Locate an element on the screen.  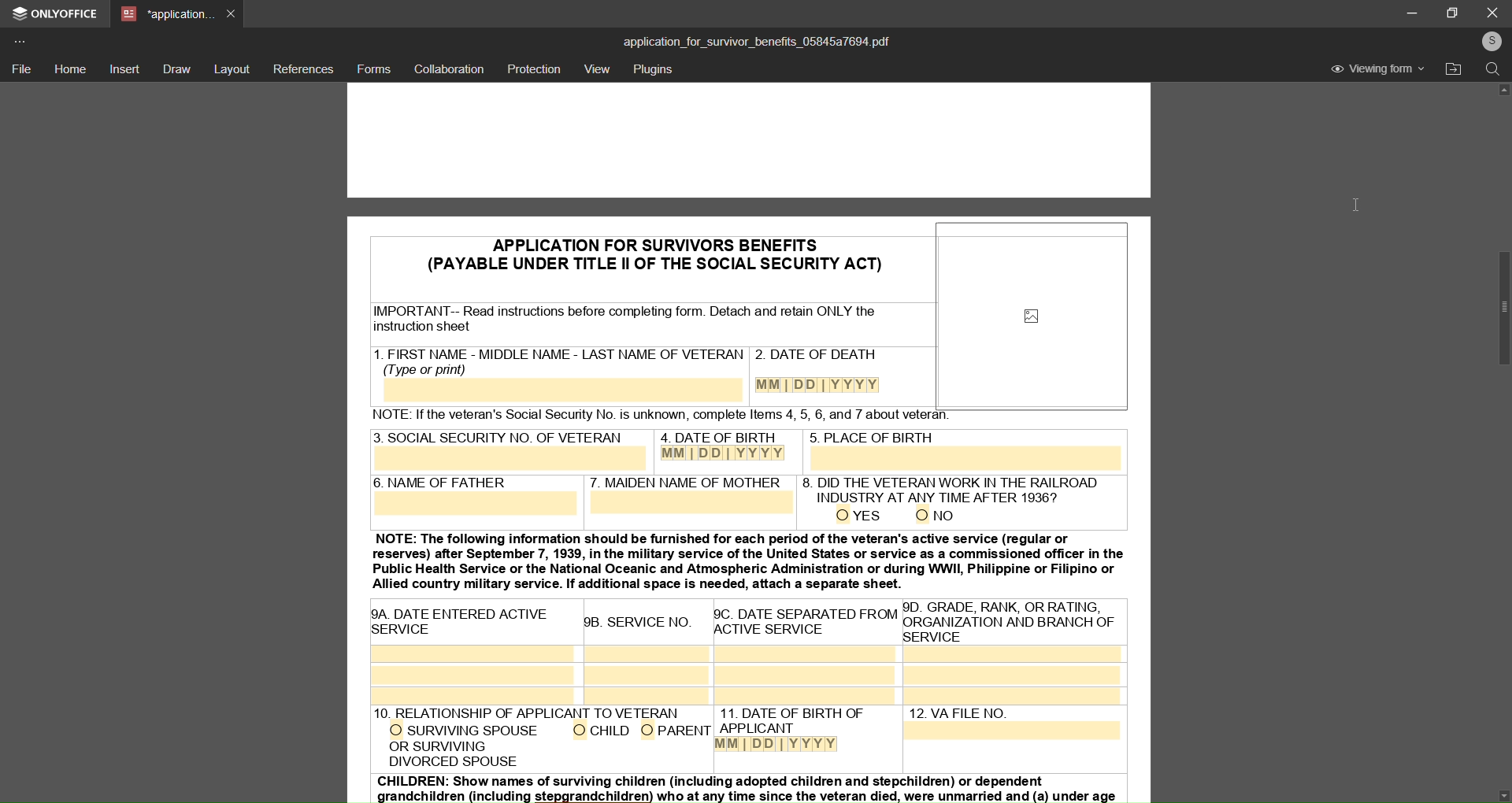
PDF of application for survivors benefits is located at coordinates (645, 517).